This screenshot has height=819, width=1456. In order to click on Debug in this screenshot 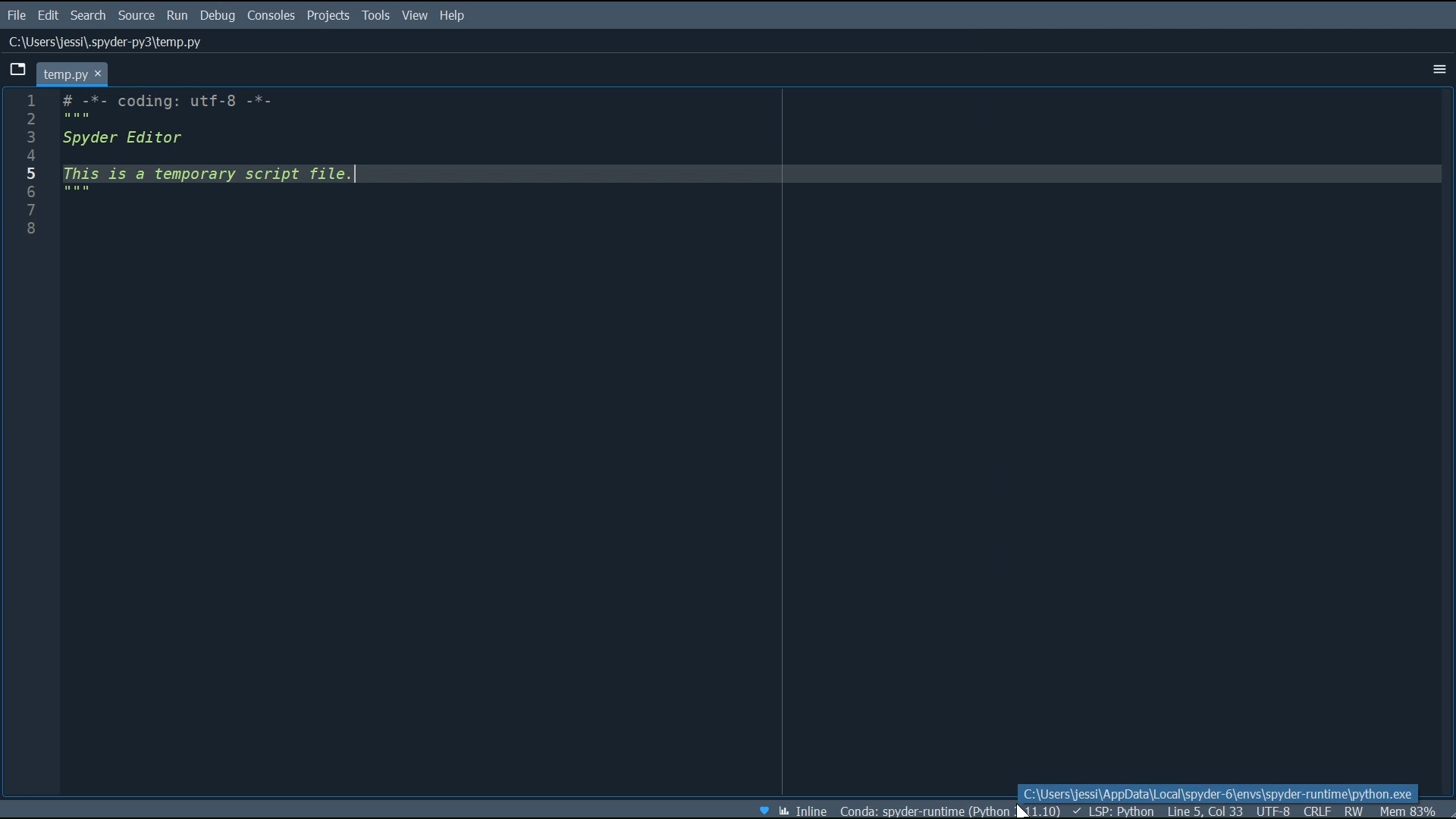, I will do `click(219, 16)`.